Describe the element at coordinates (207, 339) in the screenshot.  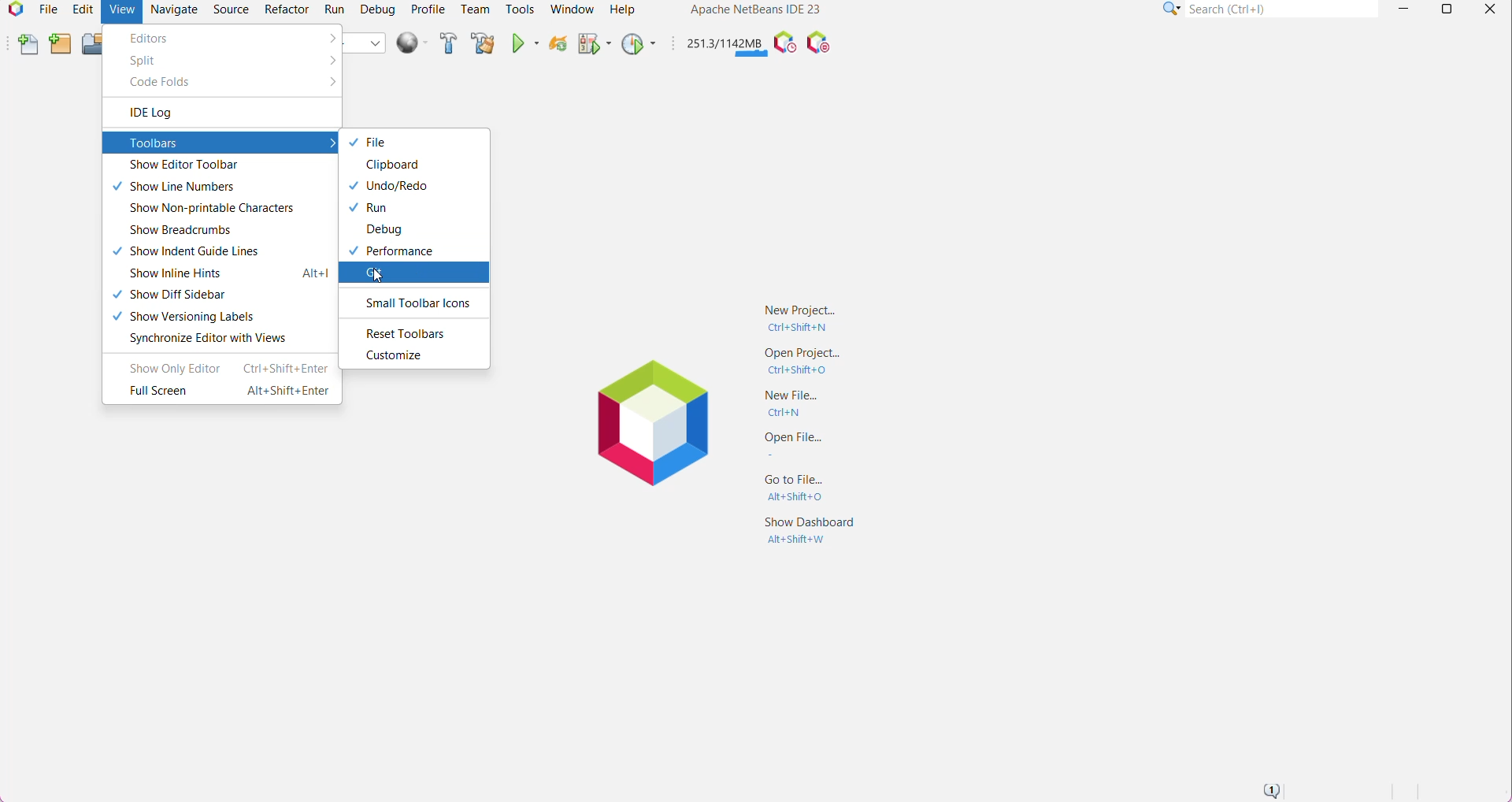
I see `Synchronize Editor with Views` at that location.